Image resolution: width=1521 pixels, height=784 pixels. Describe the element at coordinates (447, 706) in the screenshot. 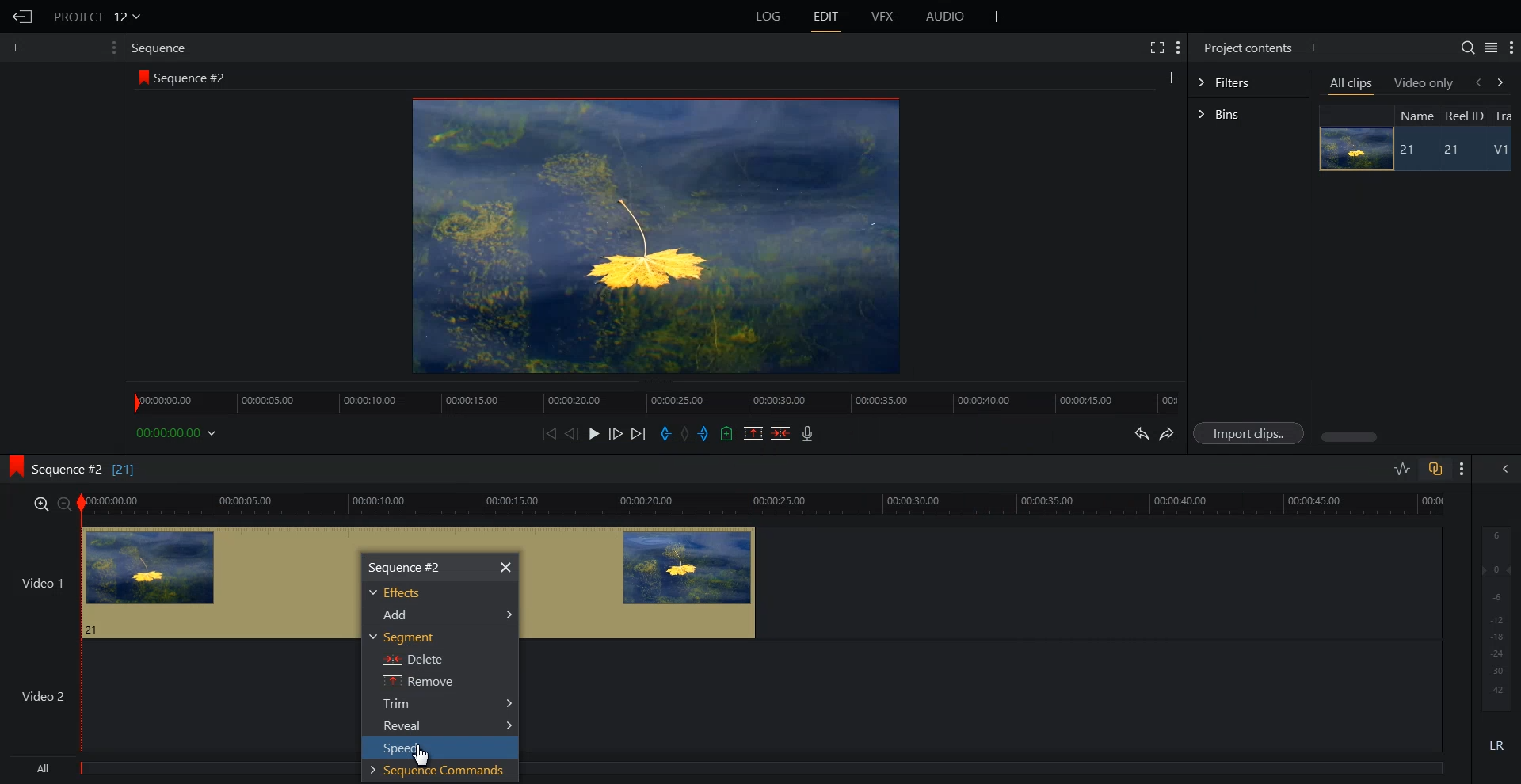

I see `Trim` at that location.